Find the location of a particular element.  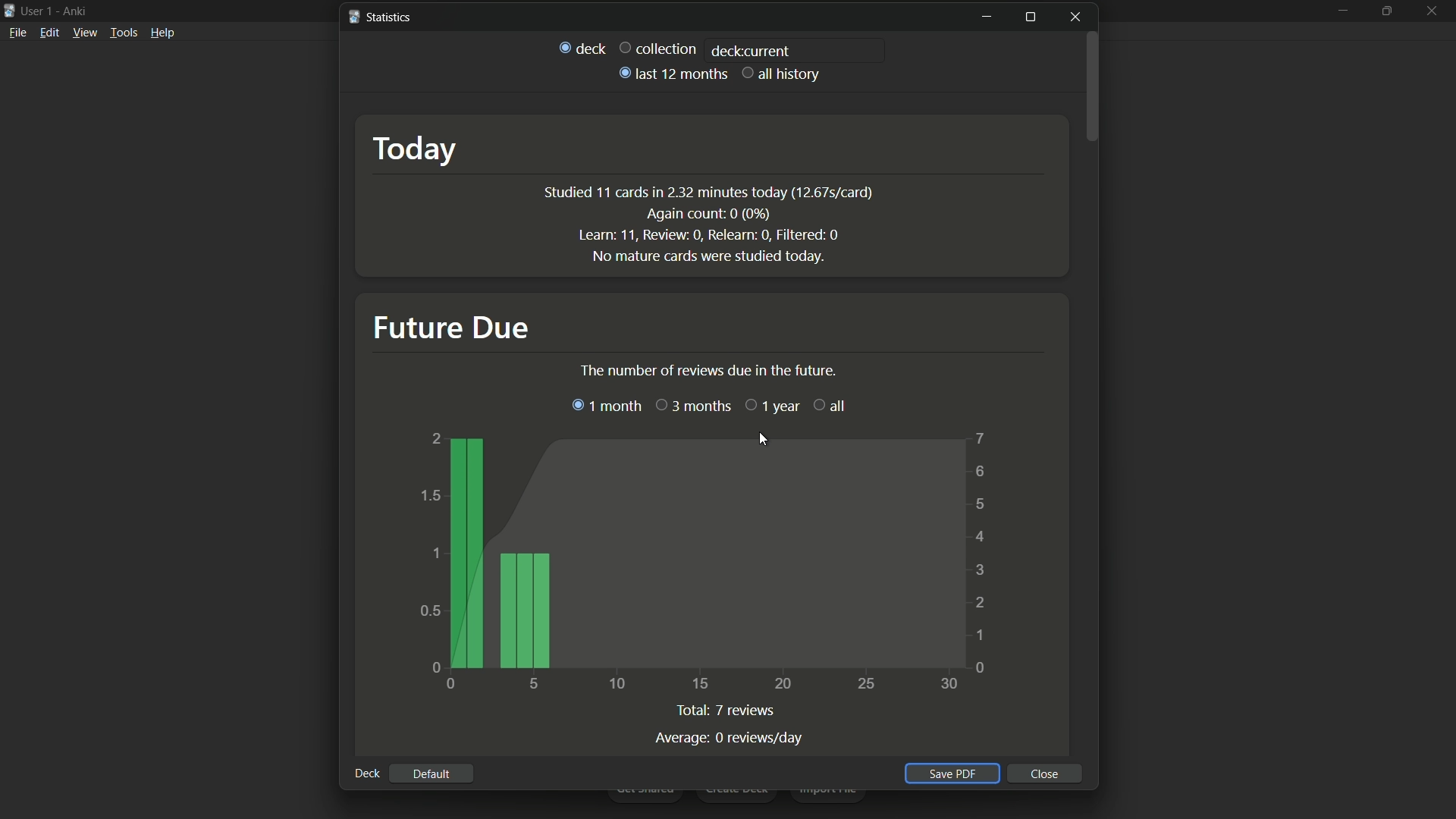

cursor is located at coordinates (764, 441).